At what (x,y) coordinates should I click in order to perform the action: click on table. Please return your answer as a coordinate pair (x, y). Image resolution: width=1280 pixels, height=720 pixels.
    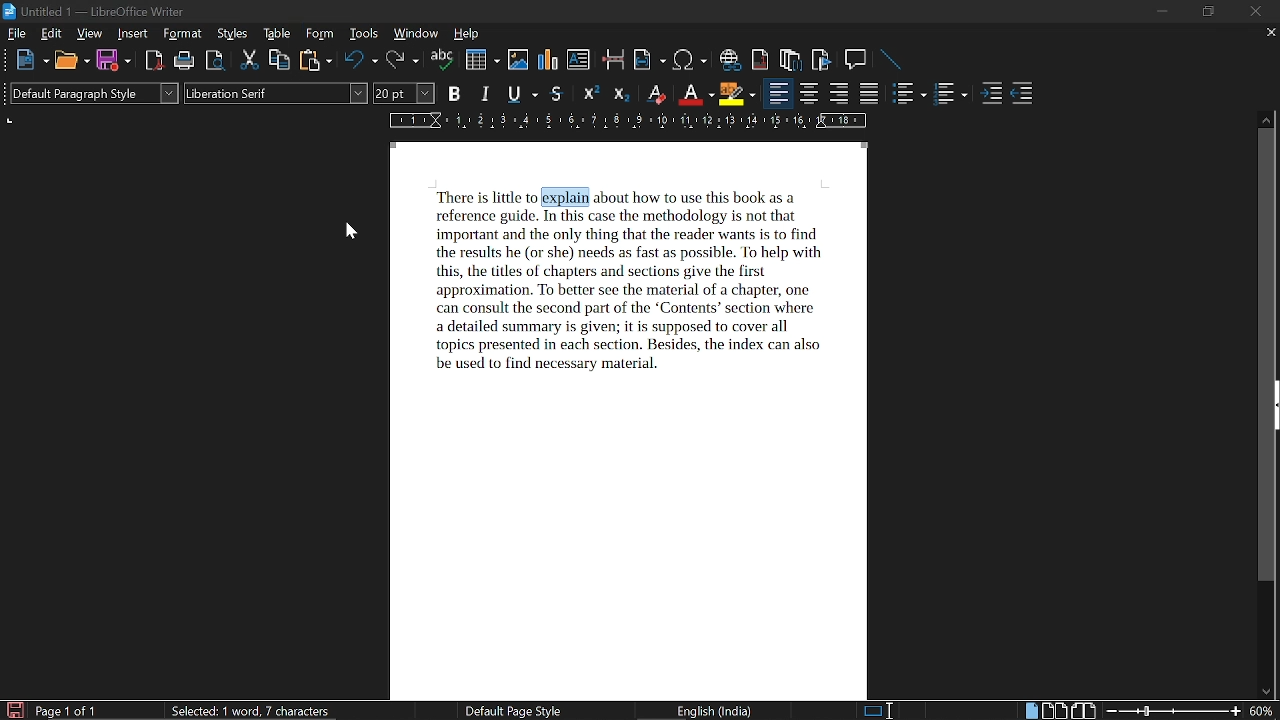
    Looking at the image, I should click on (276, 34).